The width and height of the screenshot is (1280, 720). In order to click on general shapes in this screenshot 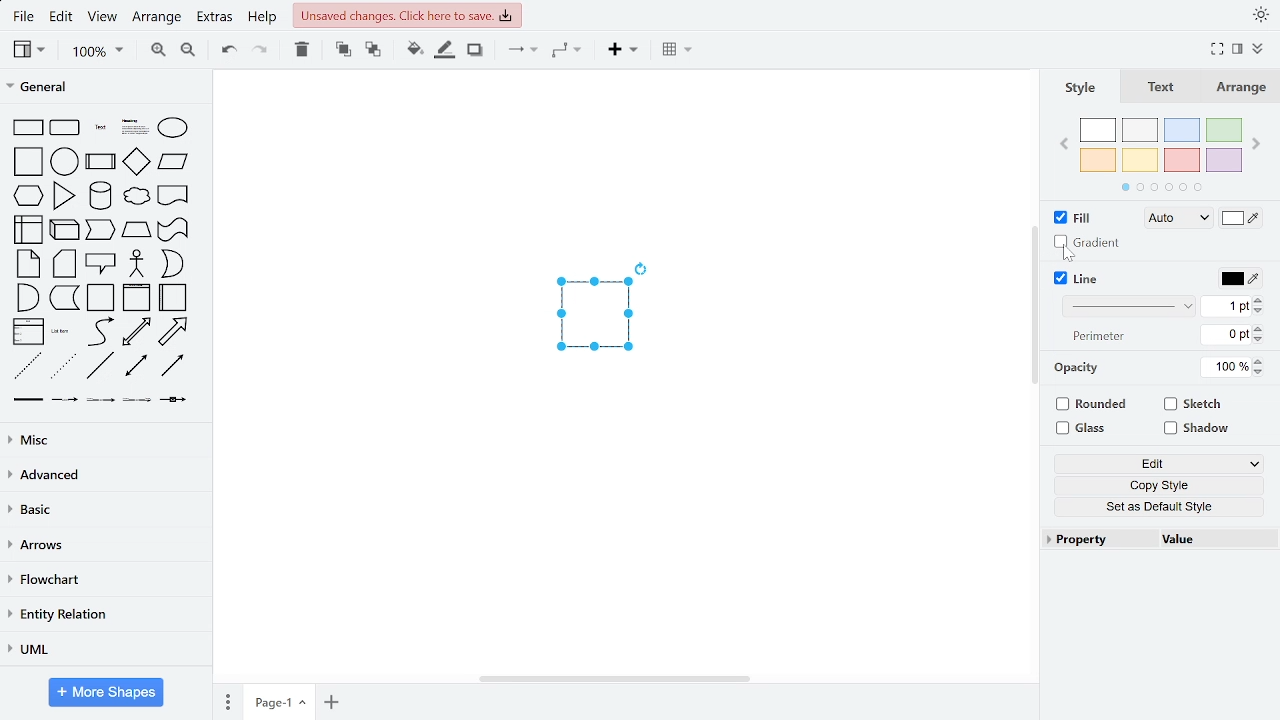, I will do `click(64, 296)`.